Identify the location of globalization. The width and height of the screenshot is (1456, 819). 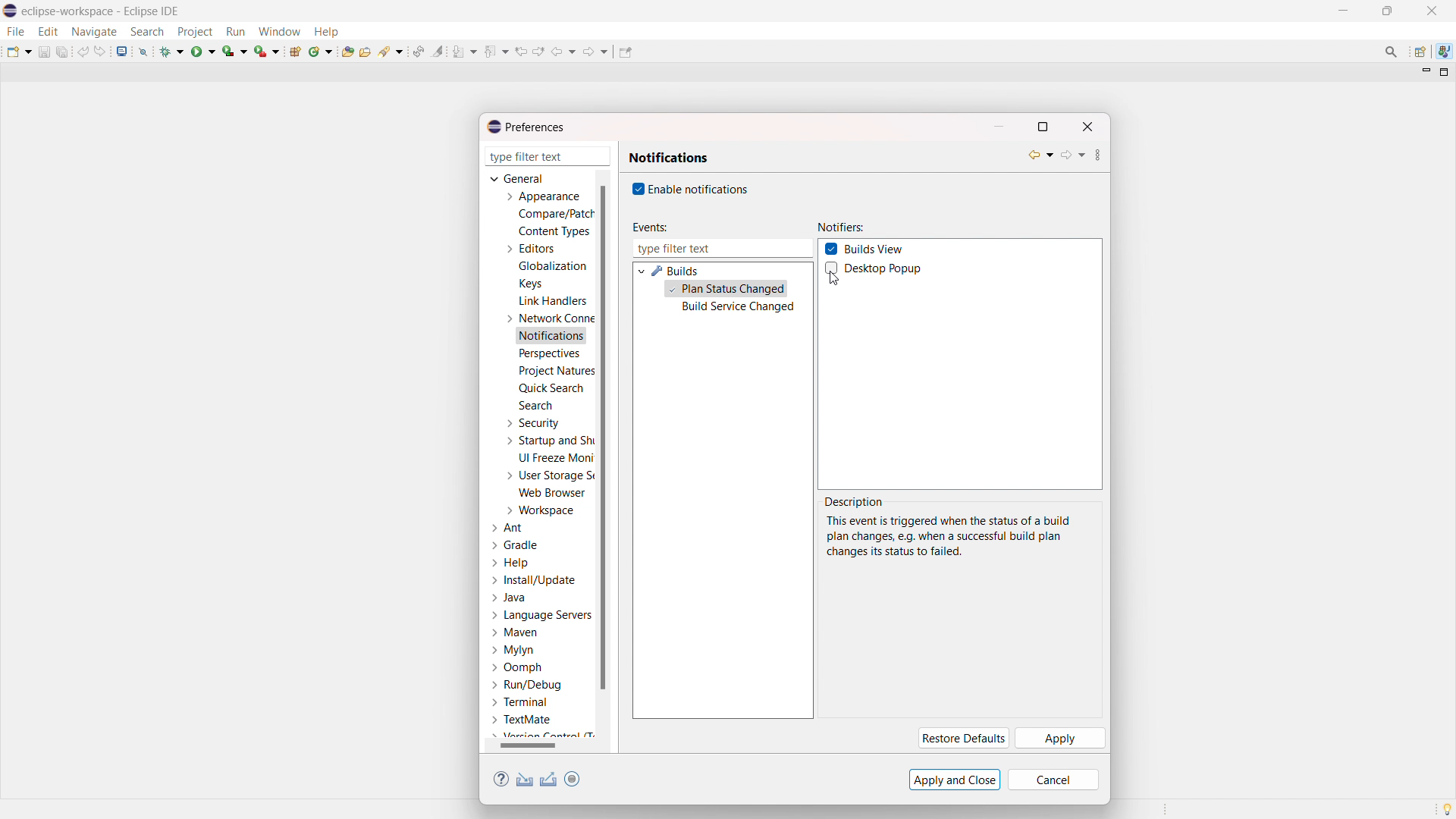
(554, 265).